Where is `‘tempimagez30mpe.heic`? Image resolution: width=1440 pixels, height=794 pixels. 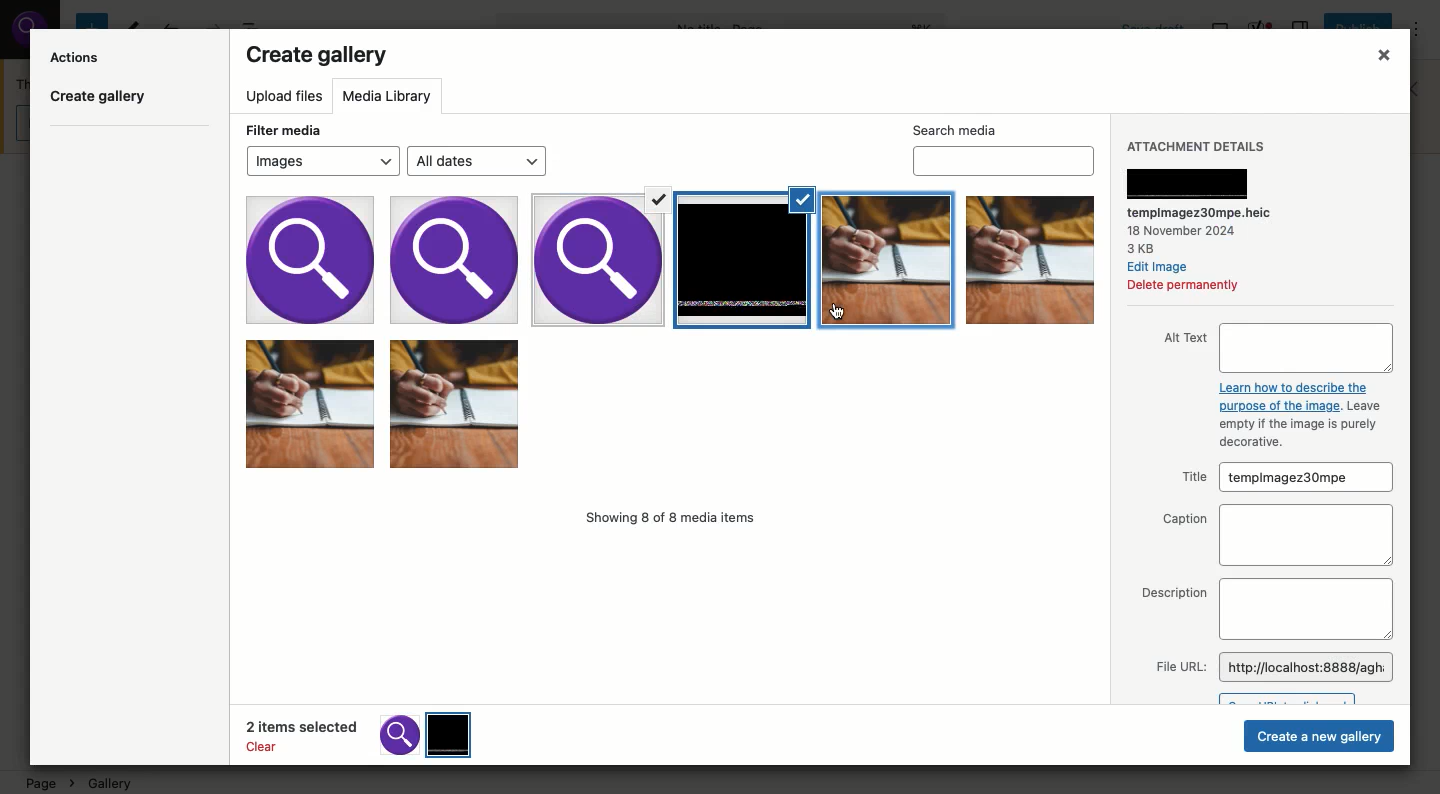
‘tempimagez30mpe.heic is located at coordinates (1206, 214).